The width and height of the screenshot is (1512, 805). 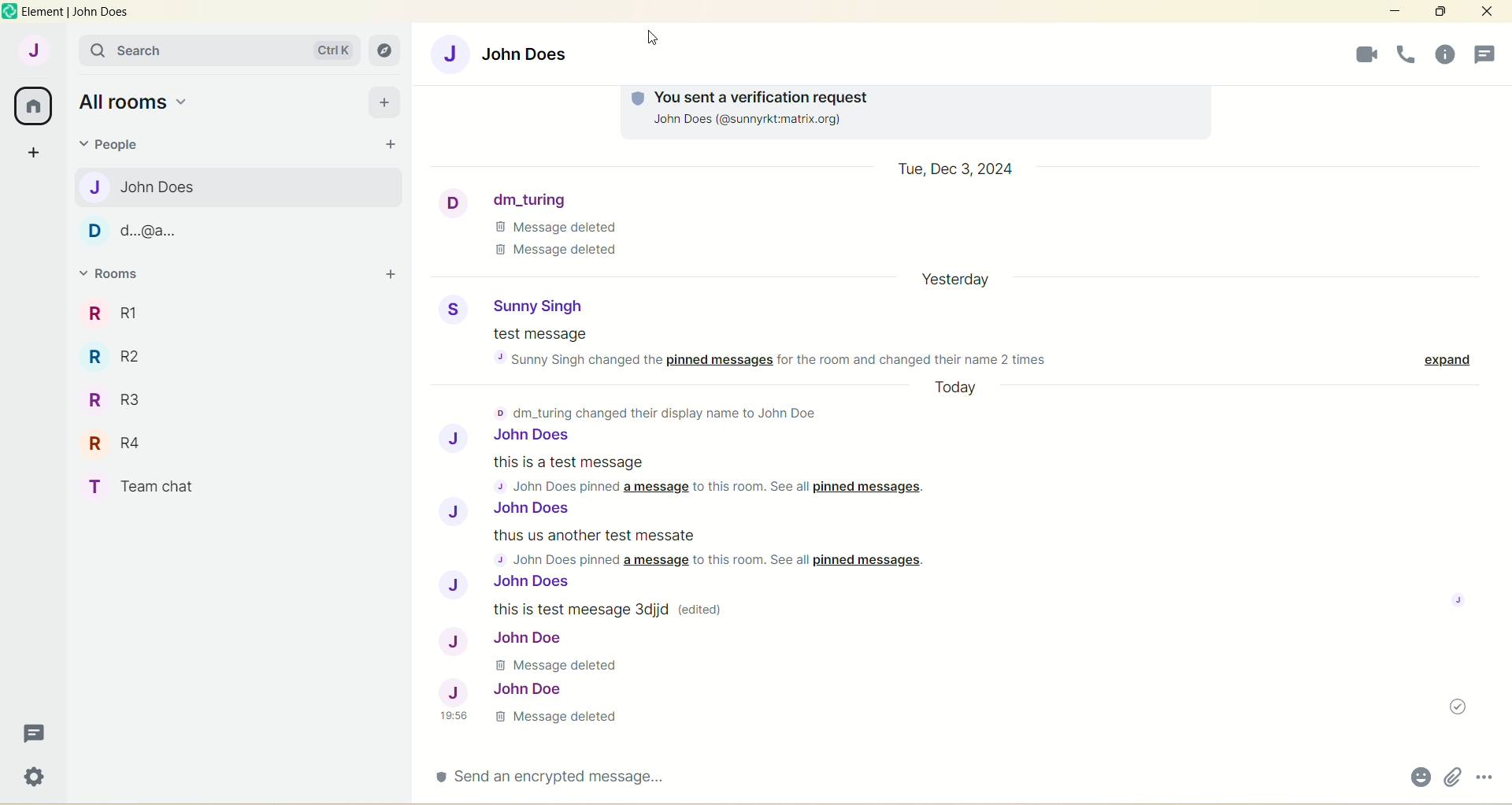 What do you see at coordinates (1461, 600) in the screenshot?
I see `image profile` at bounding box center [1461, 600].